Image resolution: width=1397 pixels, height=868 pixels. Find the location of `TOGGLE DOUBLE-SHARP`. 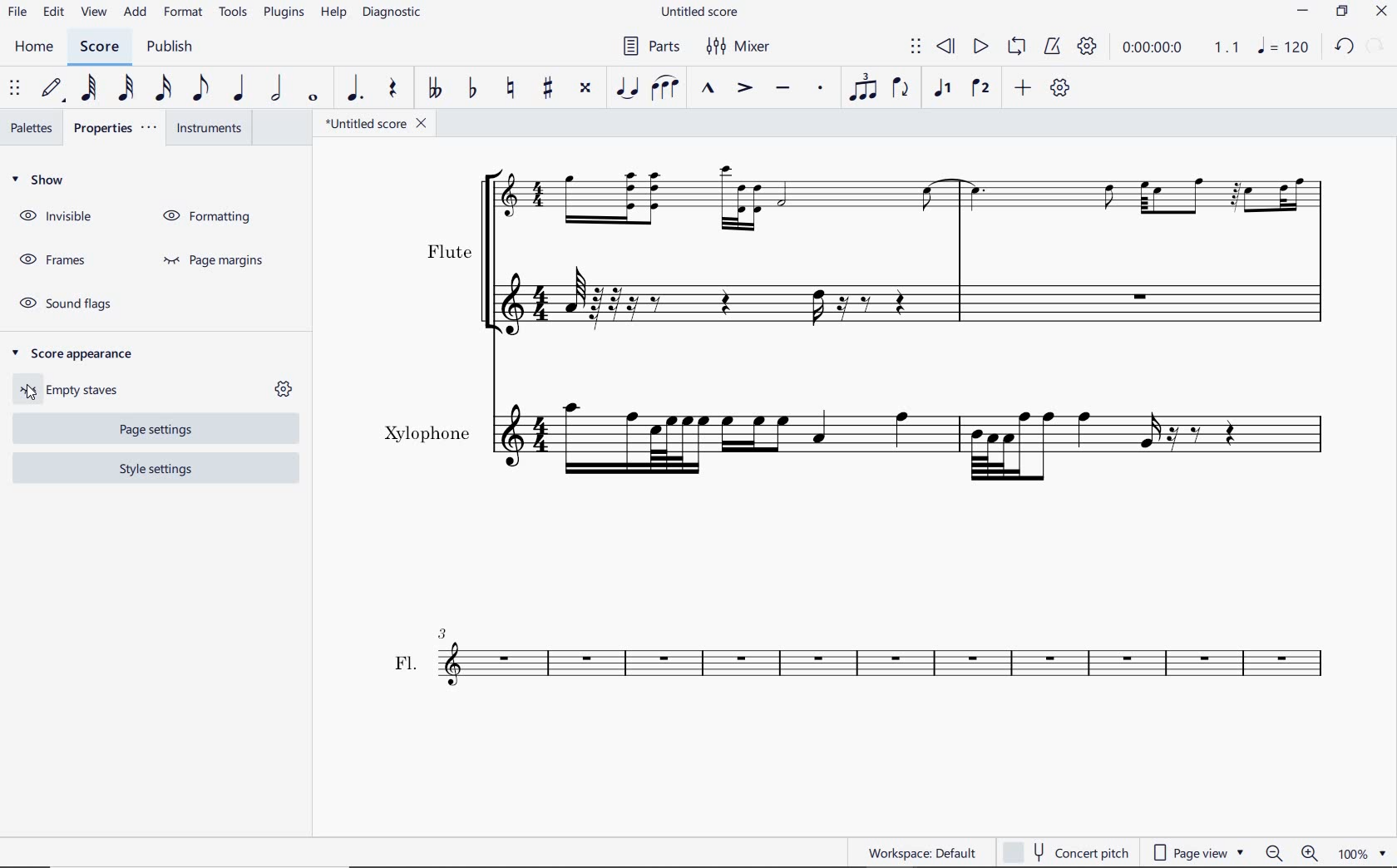

TOGGLE DOUBLE-SHARP is located at coordinates (587, 89).